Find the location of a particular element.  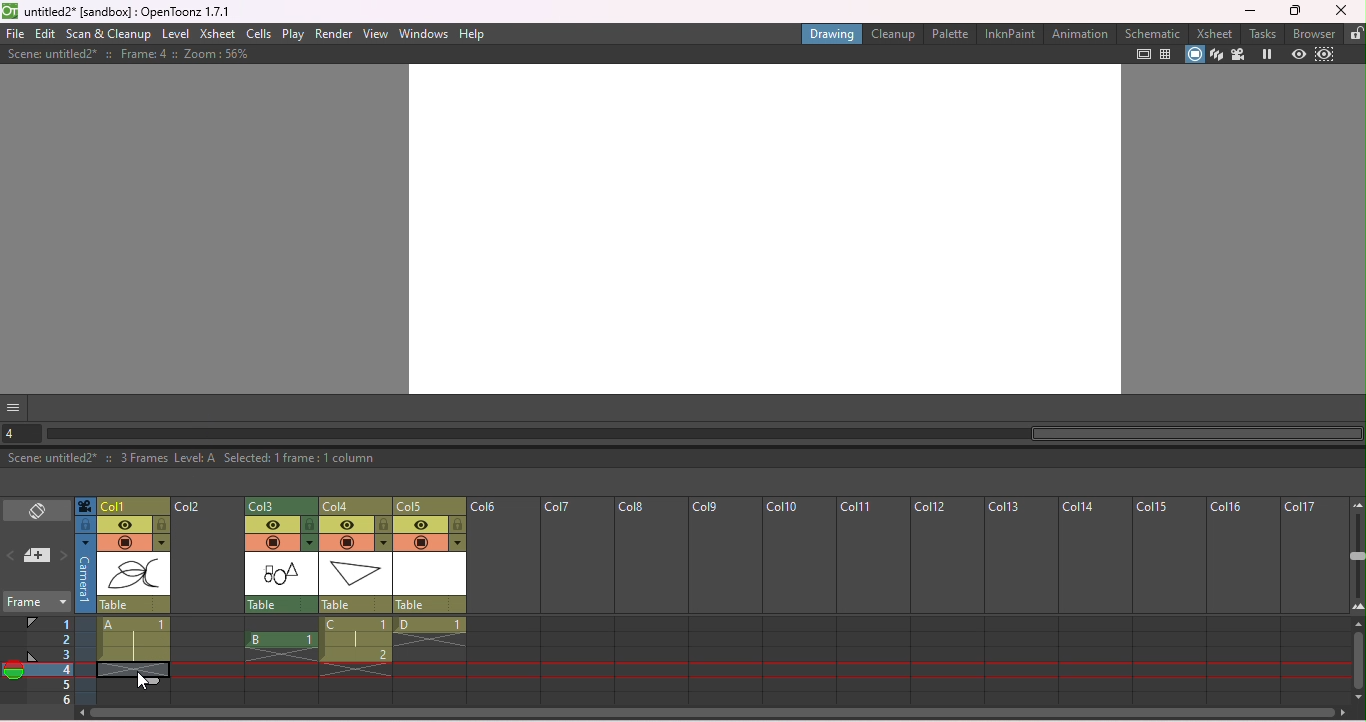

Close is located at coordinates (1341, 10).